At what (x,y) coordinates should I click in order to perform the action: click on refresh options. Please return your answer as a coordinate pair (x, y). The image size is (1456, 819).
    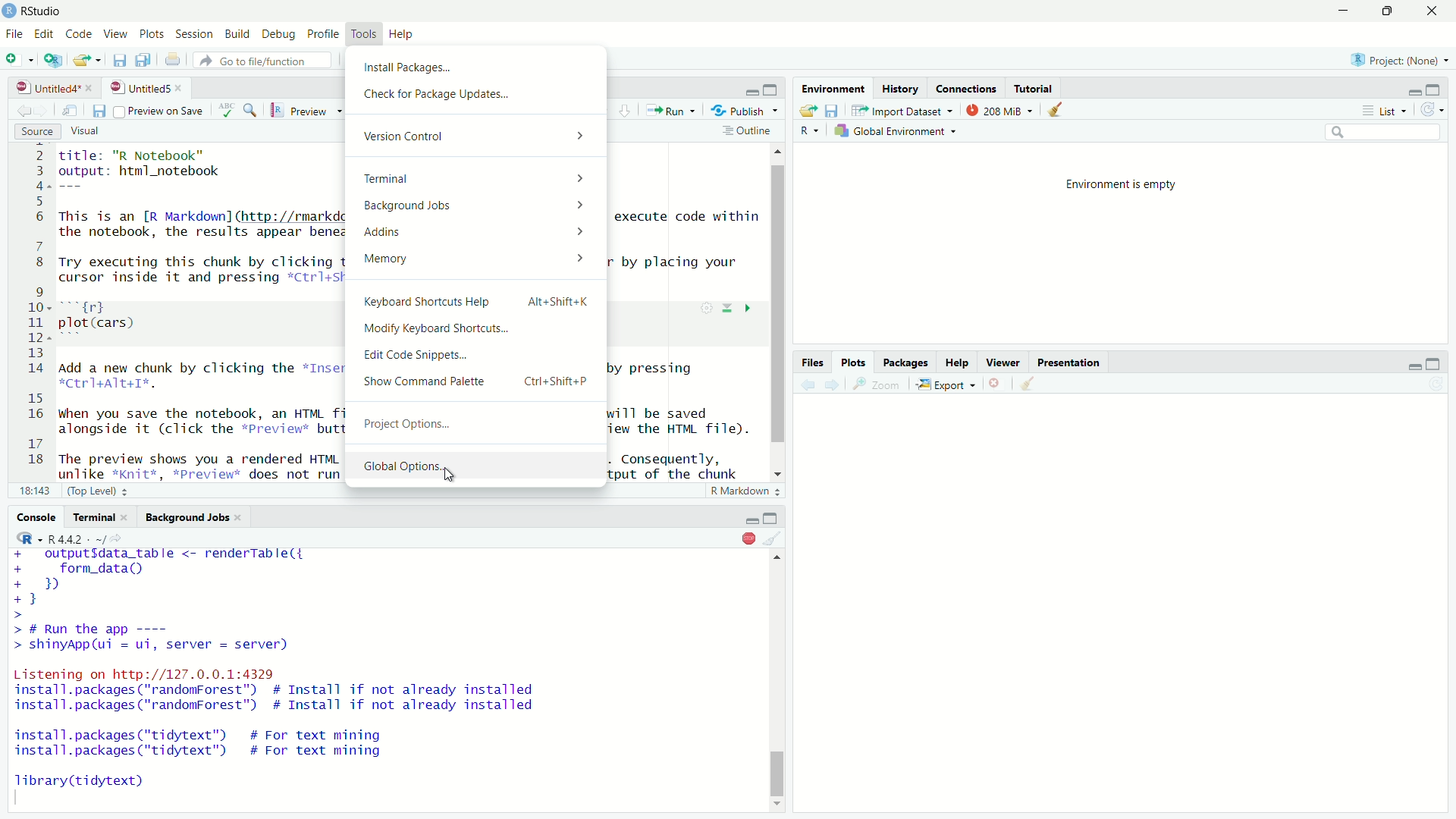
    Looking at the image, I should click on (1433, 110).